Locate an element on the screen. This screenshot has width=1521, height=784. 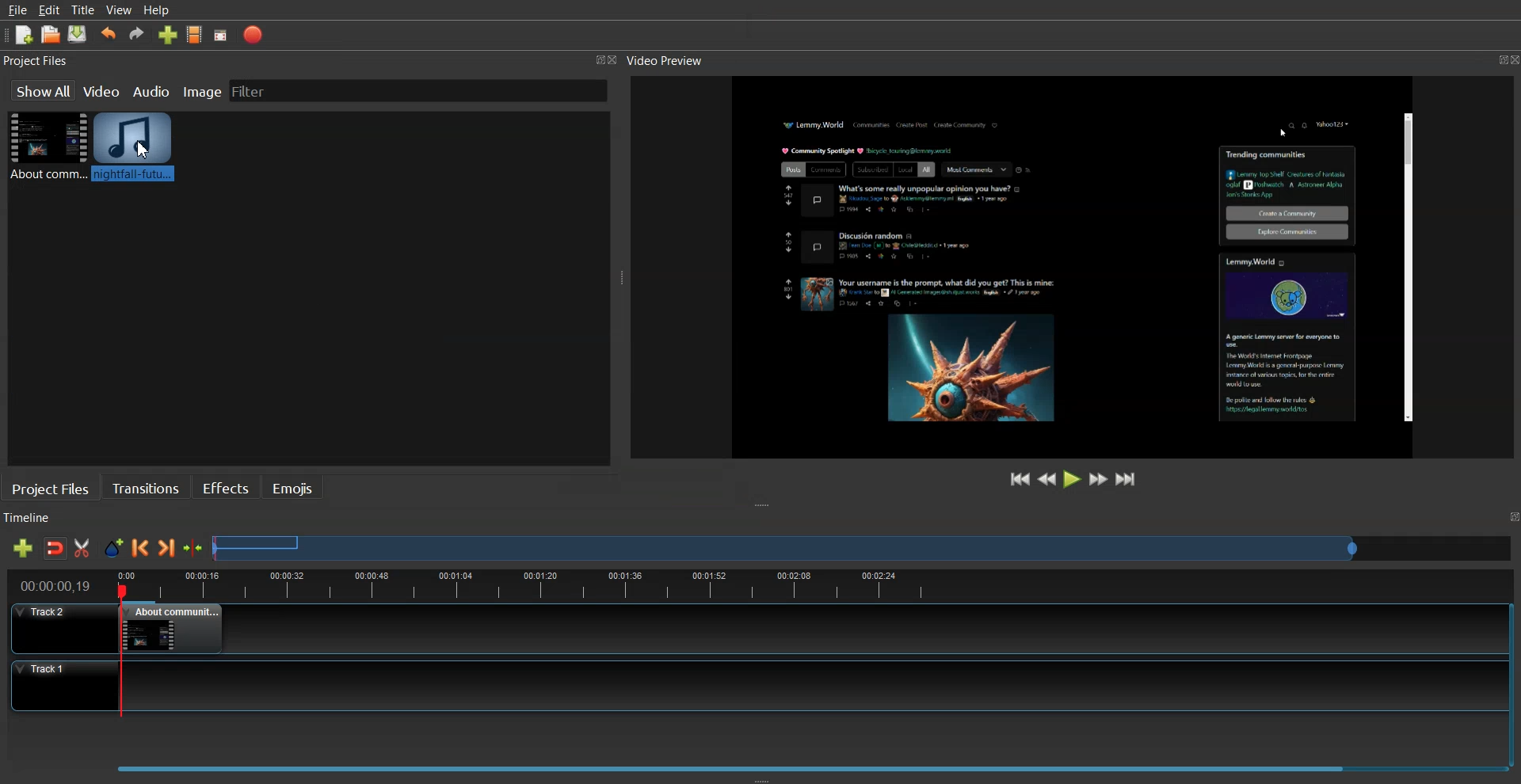
Image is located at coordinates (202, 89).